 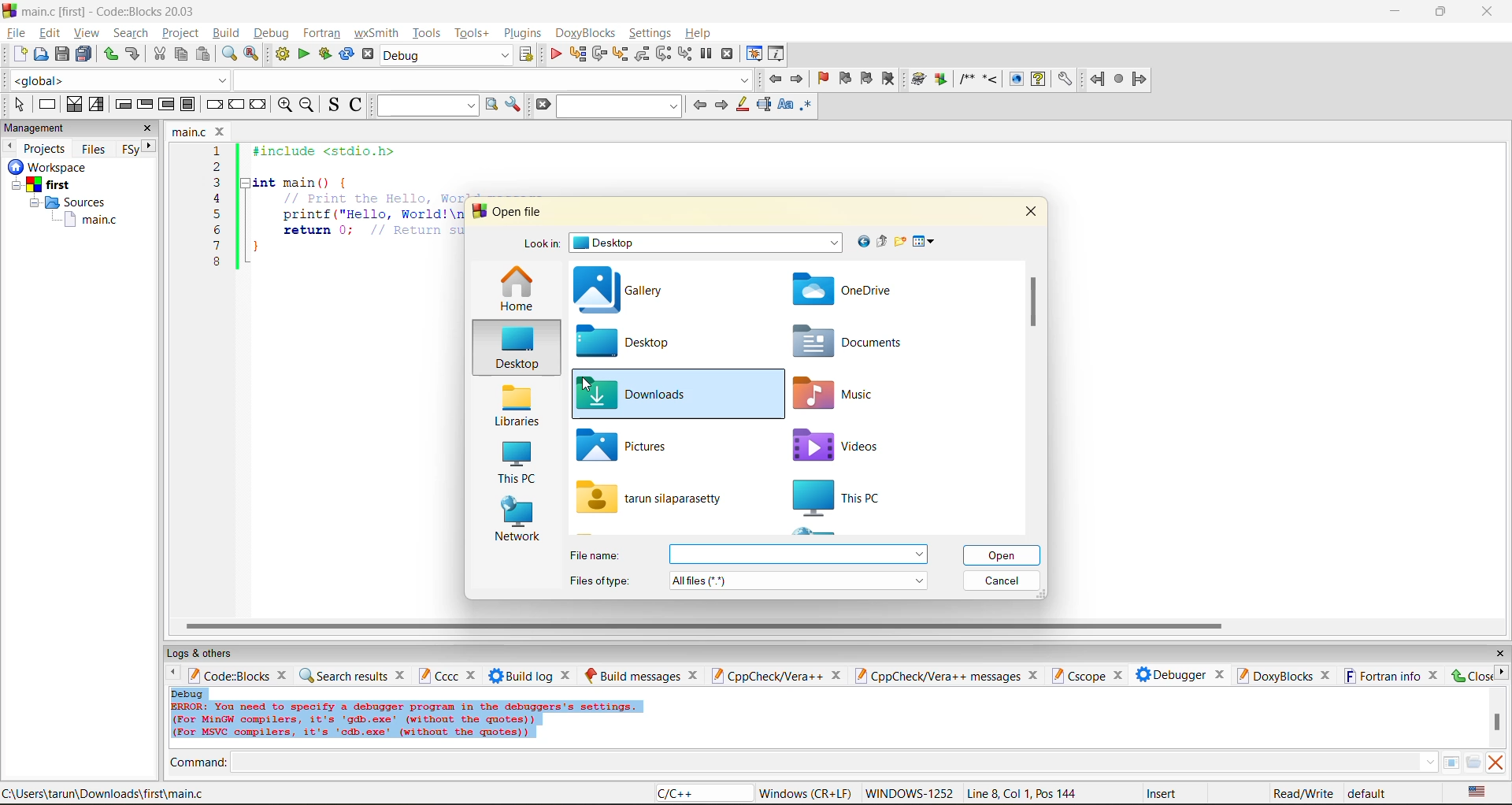 I want to click on build, so click(x=282, y=54).